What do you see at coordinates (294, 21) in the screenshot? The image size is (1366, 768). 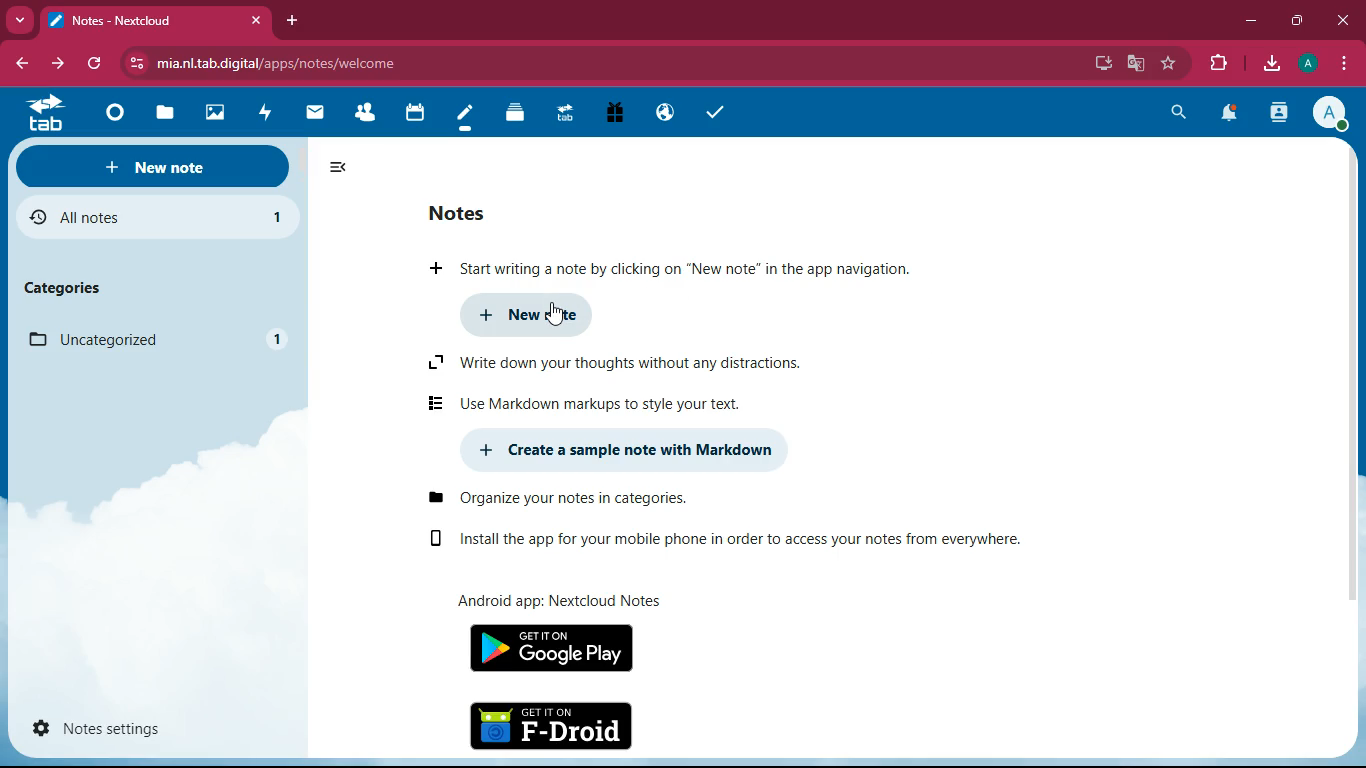 I see `new tab` at bounding box center [294, 21].